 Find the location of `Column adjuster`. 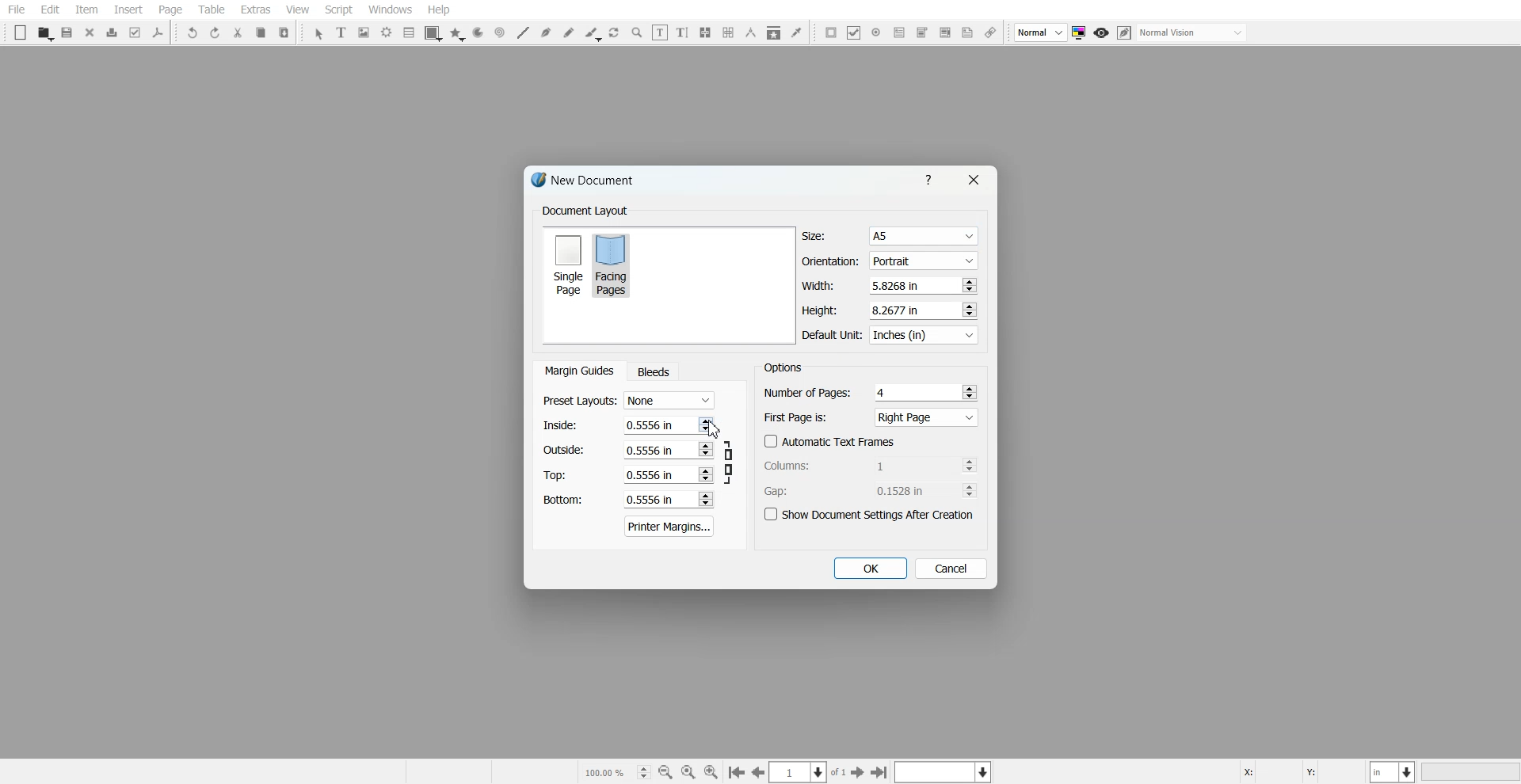

Column adjuster is located at coordinates (871, 465).